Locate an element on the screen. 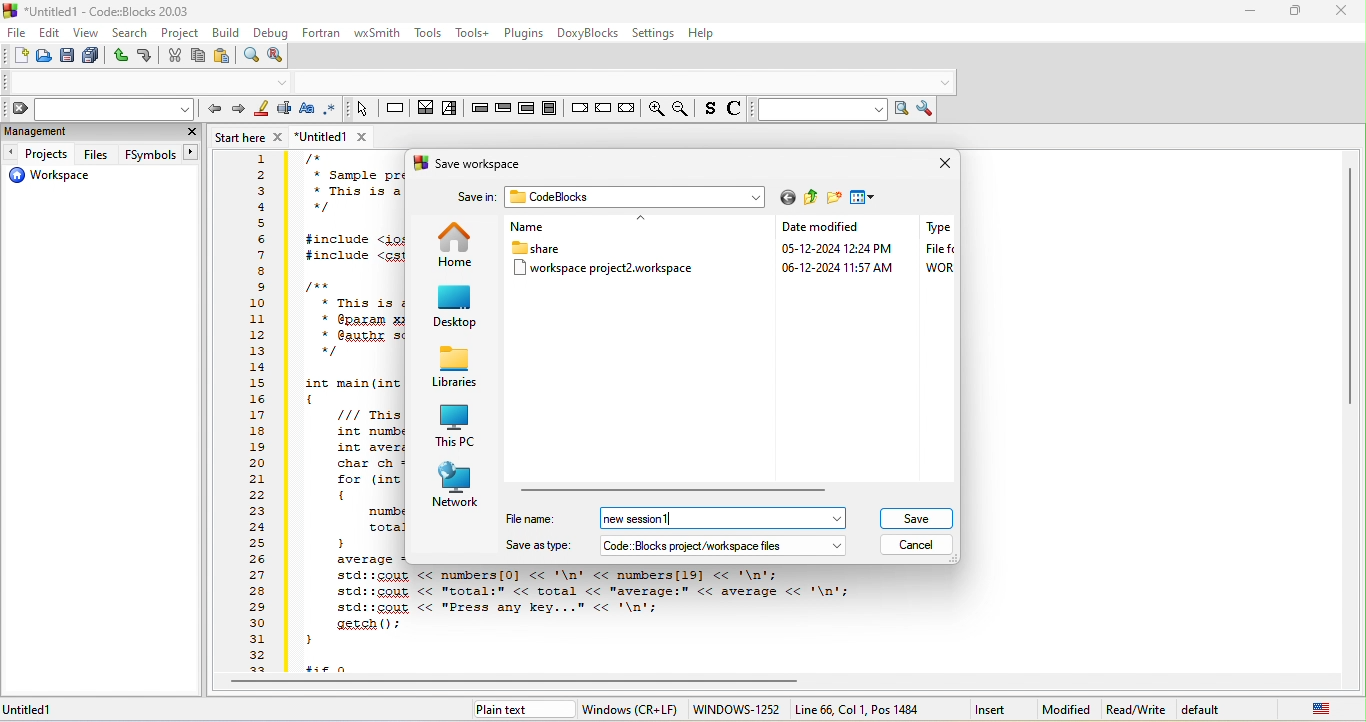 This screenshot has height=722, width=1366. selected text is located at coordinates (285, 111).